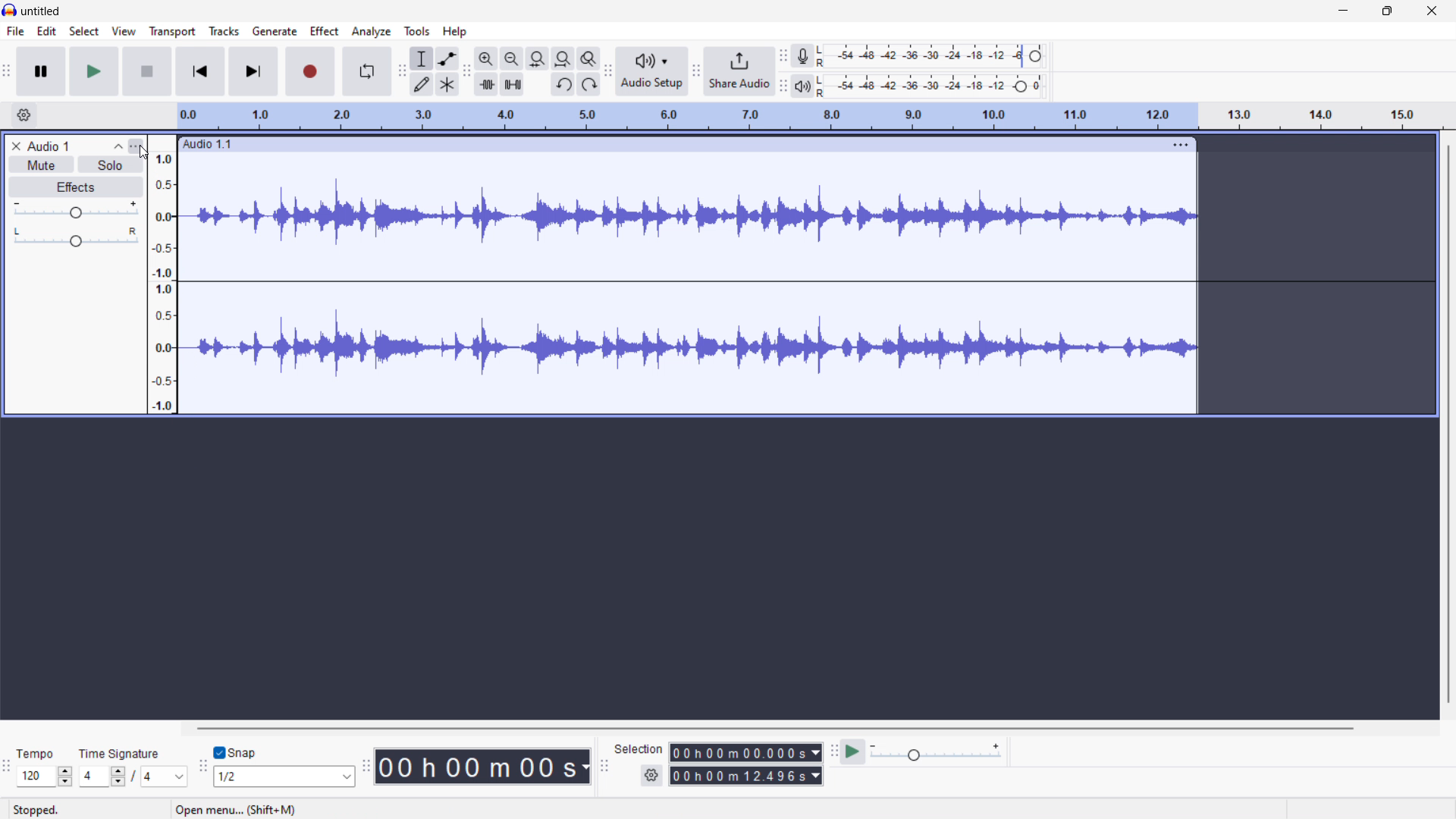 The height and width of the screenshot is (819, 1456). I want to click on Checkbox, so click(218, 753).